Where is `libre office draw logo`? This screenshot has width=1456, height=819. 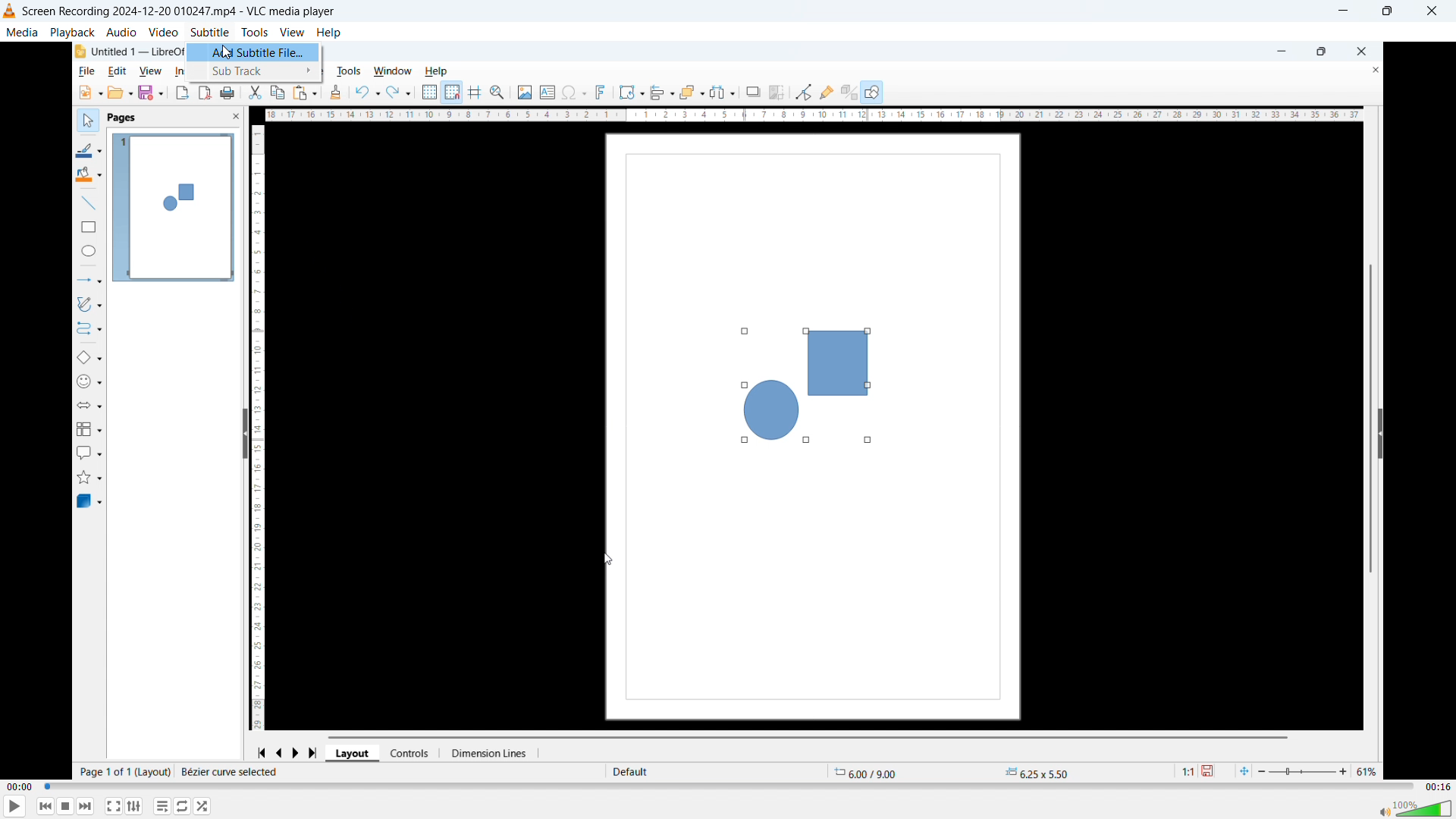 libre office draw logo is located at coordinates (79, 52).